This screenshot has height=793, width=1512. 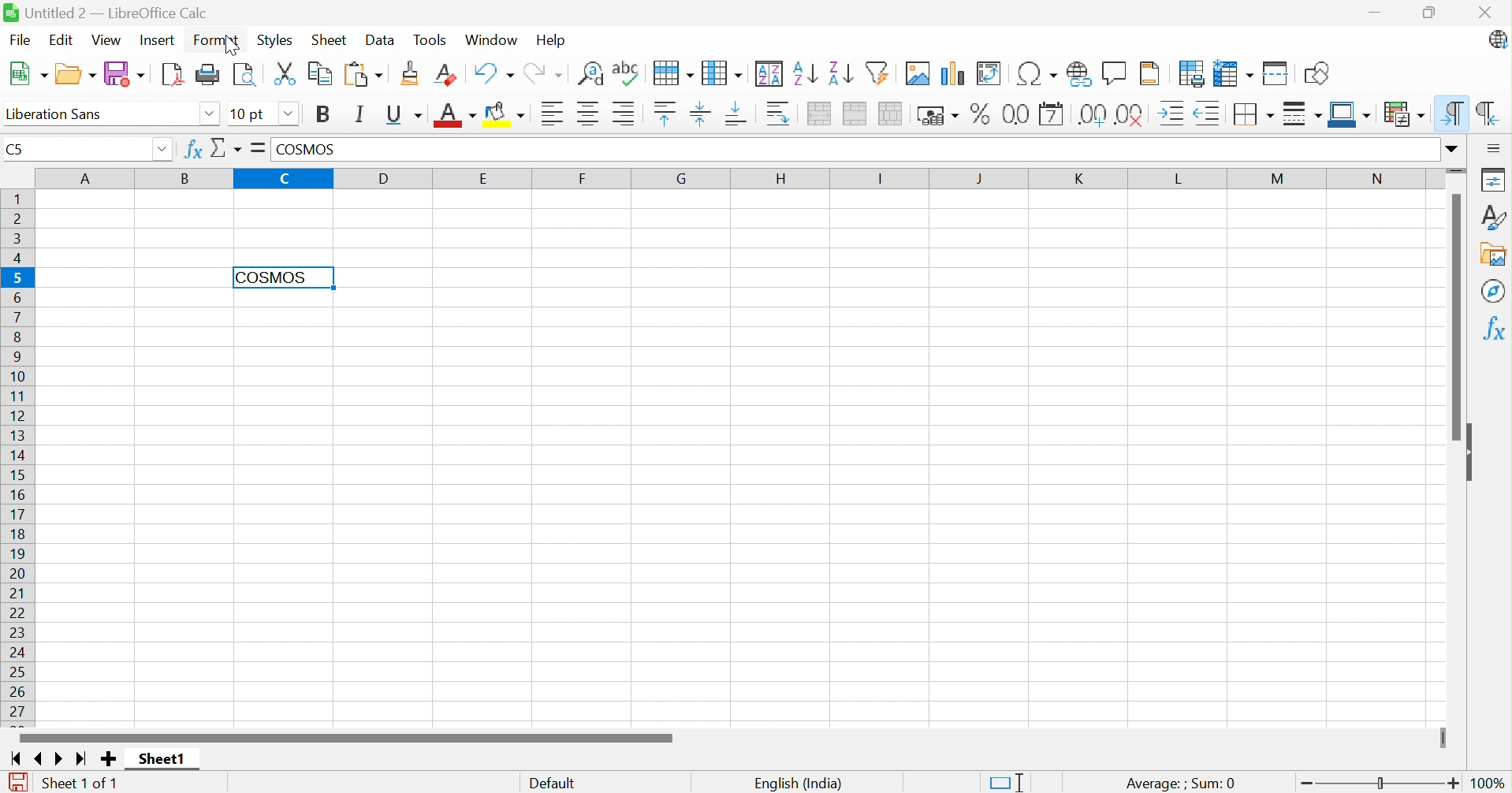 I want to click on Scroll to previous page, so click(x=39, y=757).